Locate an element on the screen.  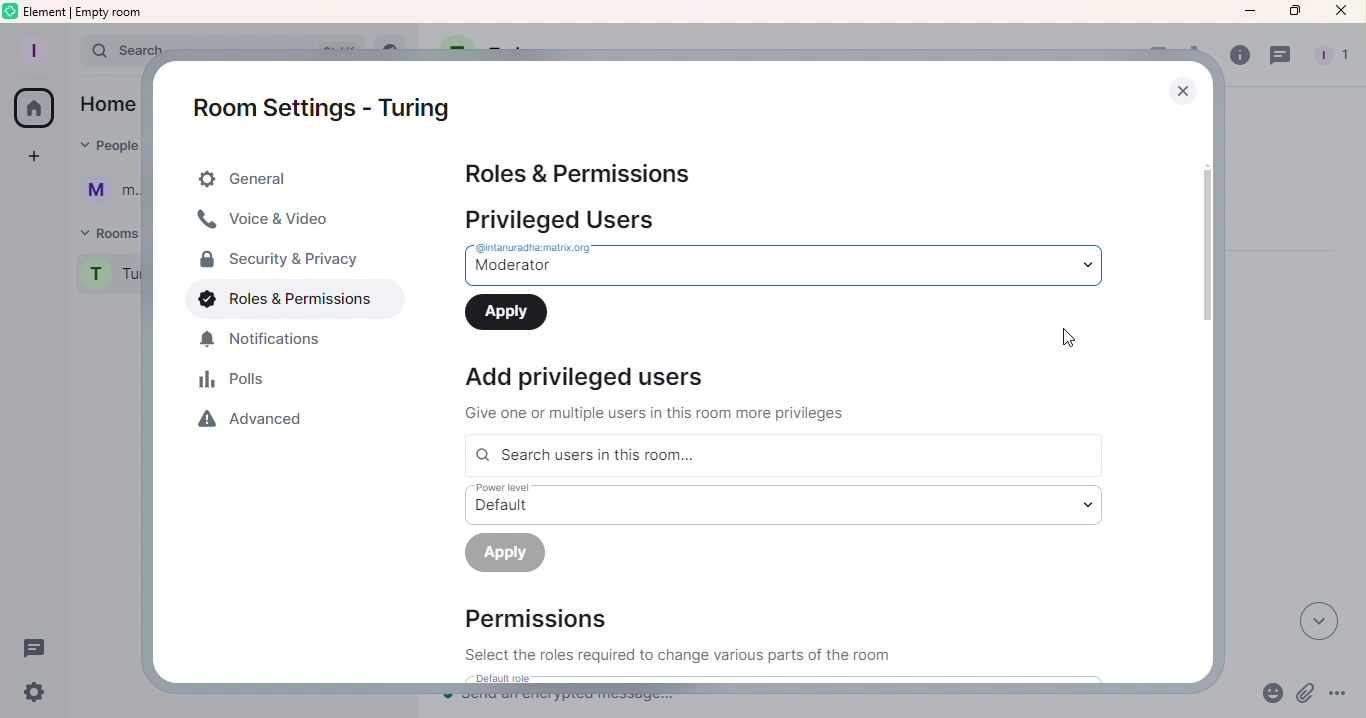
Apply is located at coordinates (506, 313).